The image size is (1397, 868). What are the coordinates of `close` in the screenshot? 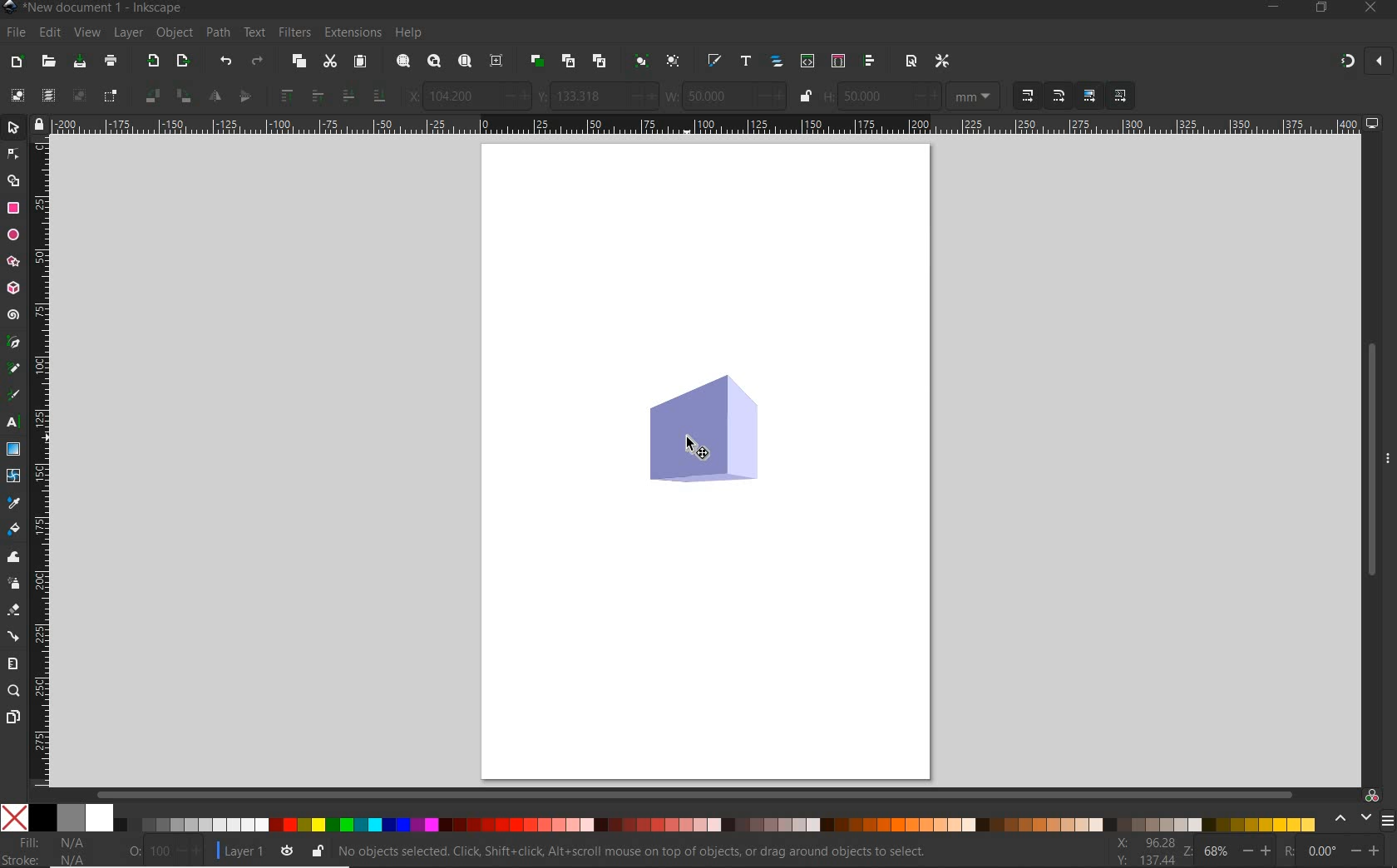 It's located at (1378, 60).